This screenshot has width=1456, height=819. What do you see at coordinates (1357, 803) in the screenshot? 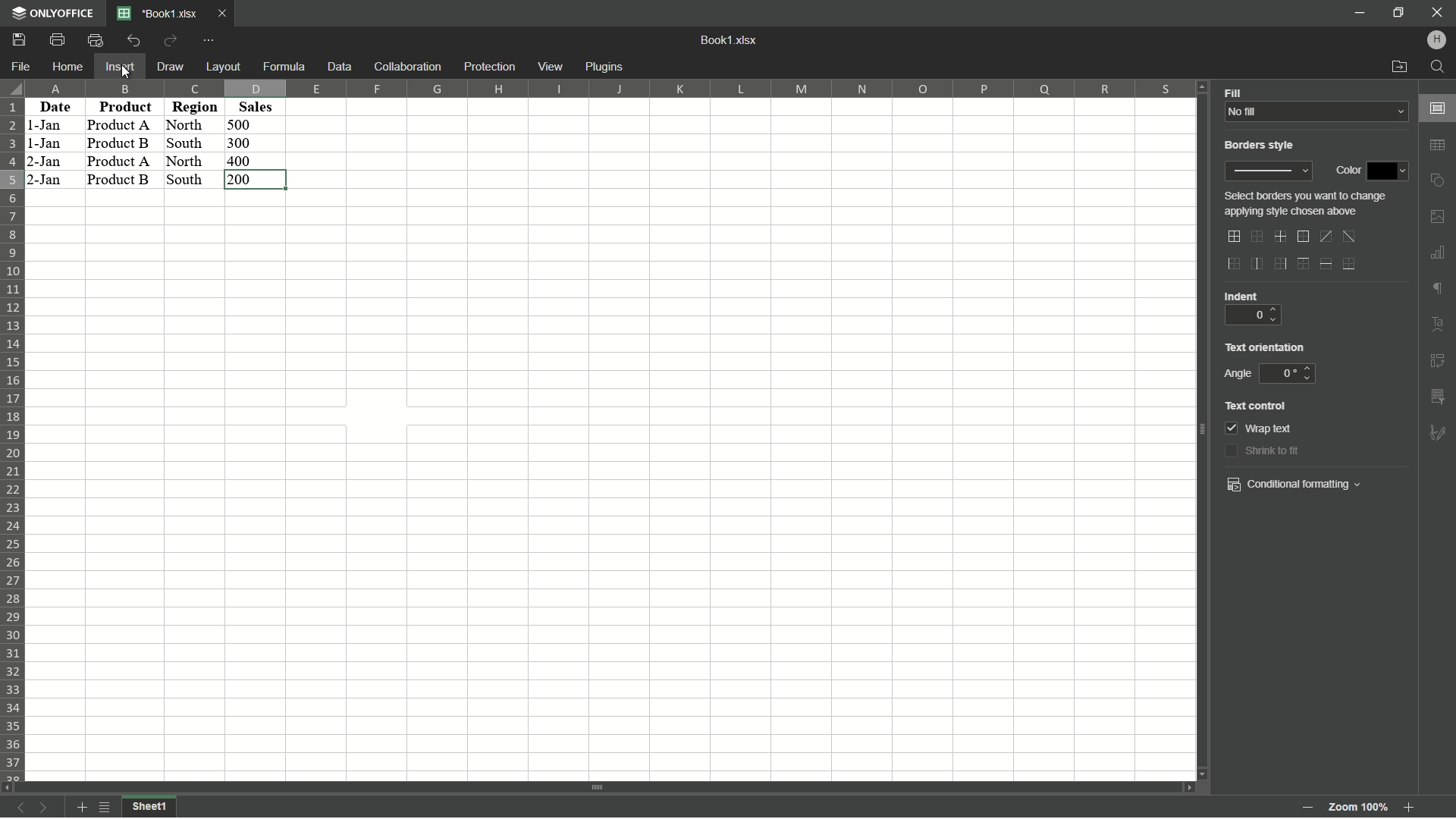
I see `zoom 100%` at bounding box center [1357, 803].